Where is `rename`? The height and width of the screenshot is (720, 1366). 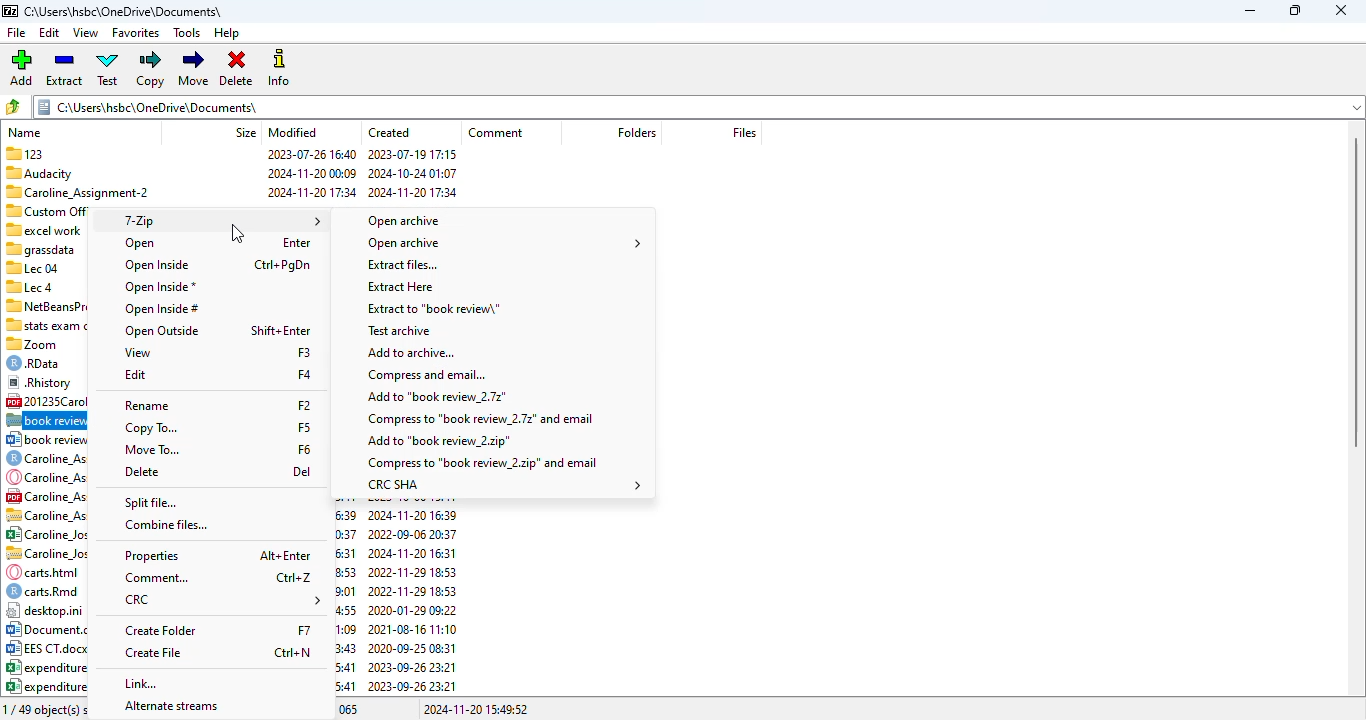 rename is located at coordinates (147, 406).